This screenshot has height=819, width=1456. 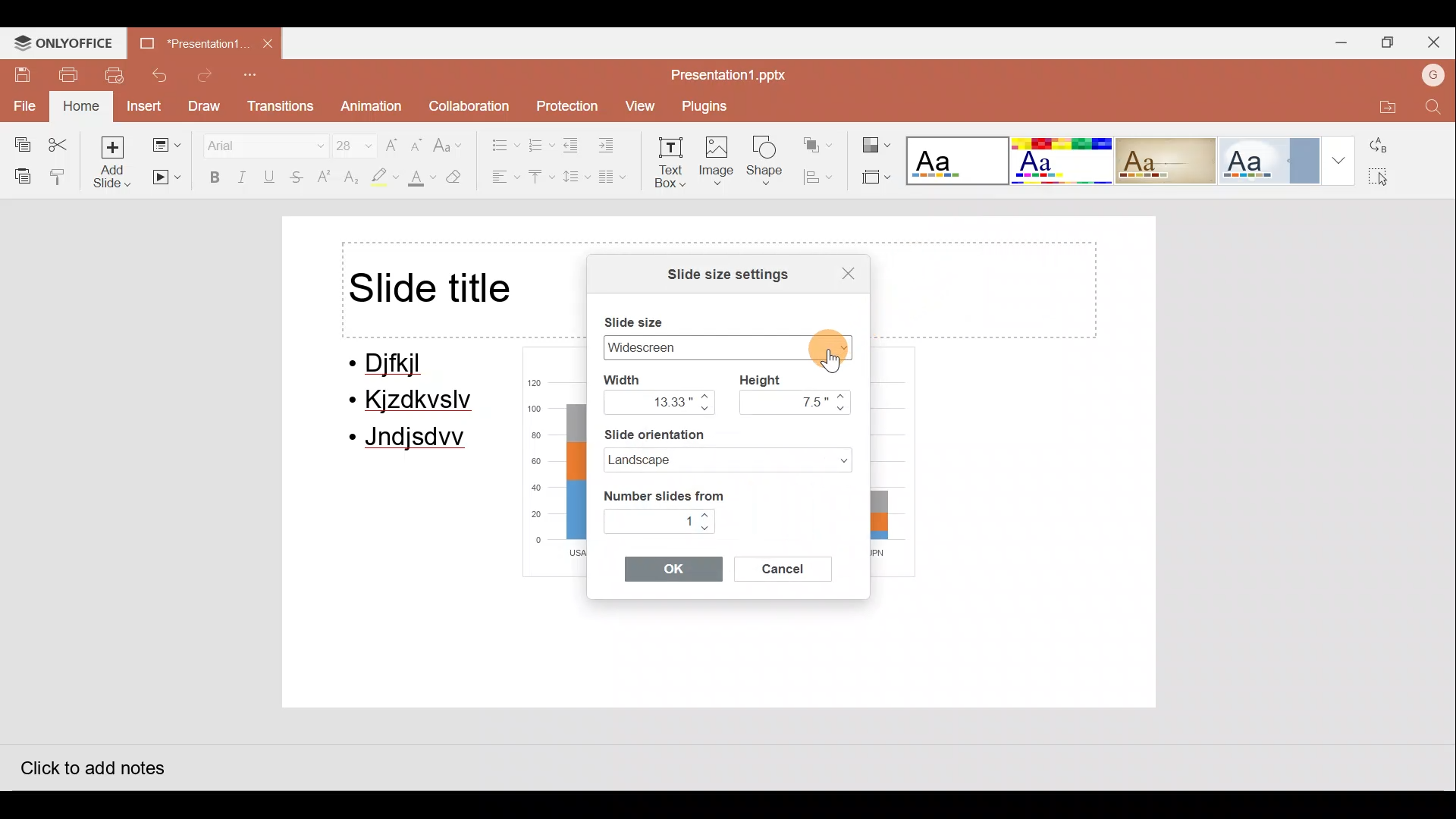 What do you see at coordinates (451, 139) in the screenshot?
I see `Change case` at bounding box center [451, 139].